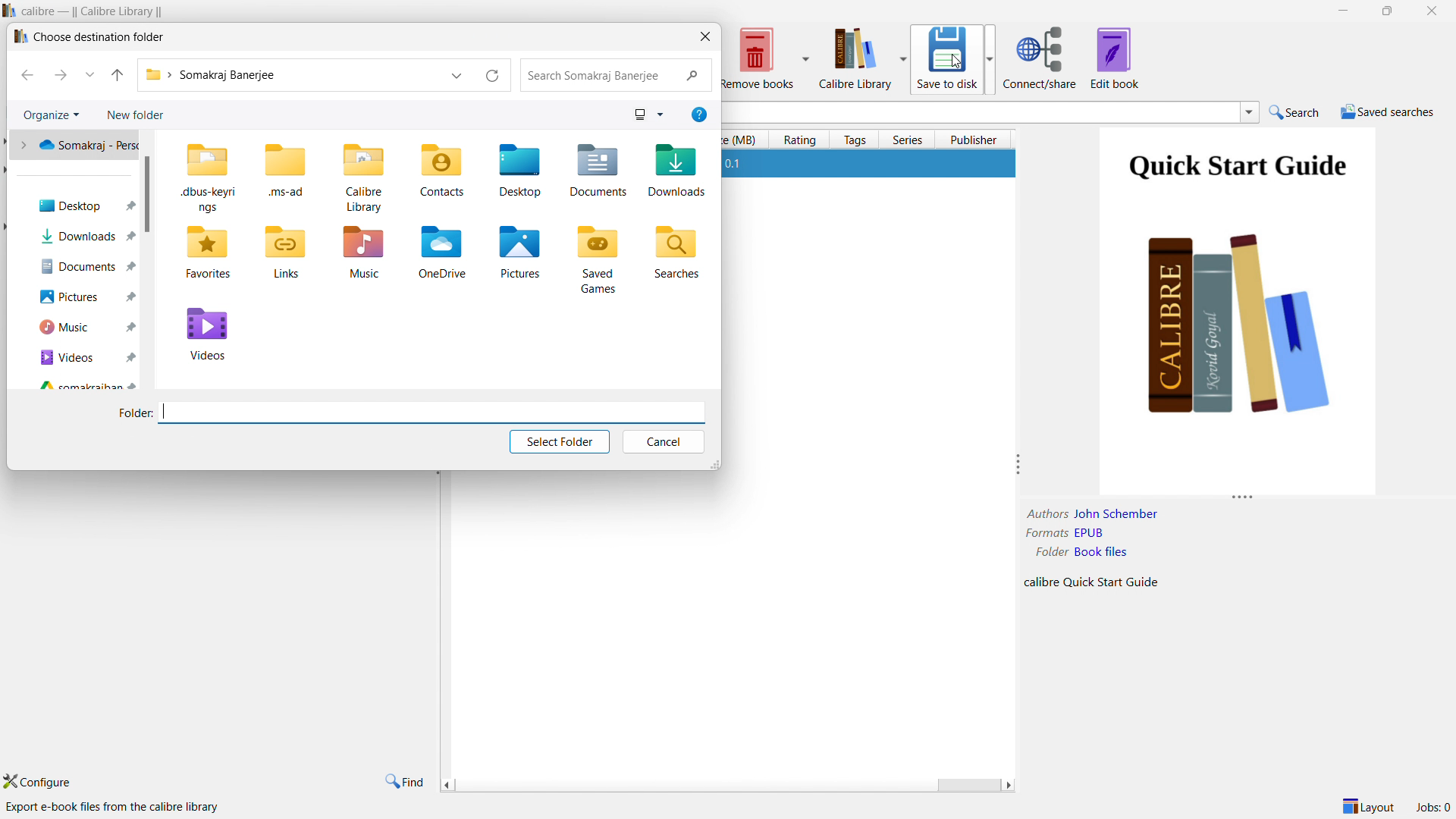  What do you see at coordinates (1101, 551) in the screenshot?
I see `Book files` at bounding box center [1101, 551].